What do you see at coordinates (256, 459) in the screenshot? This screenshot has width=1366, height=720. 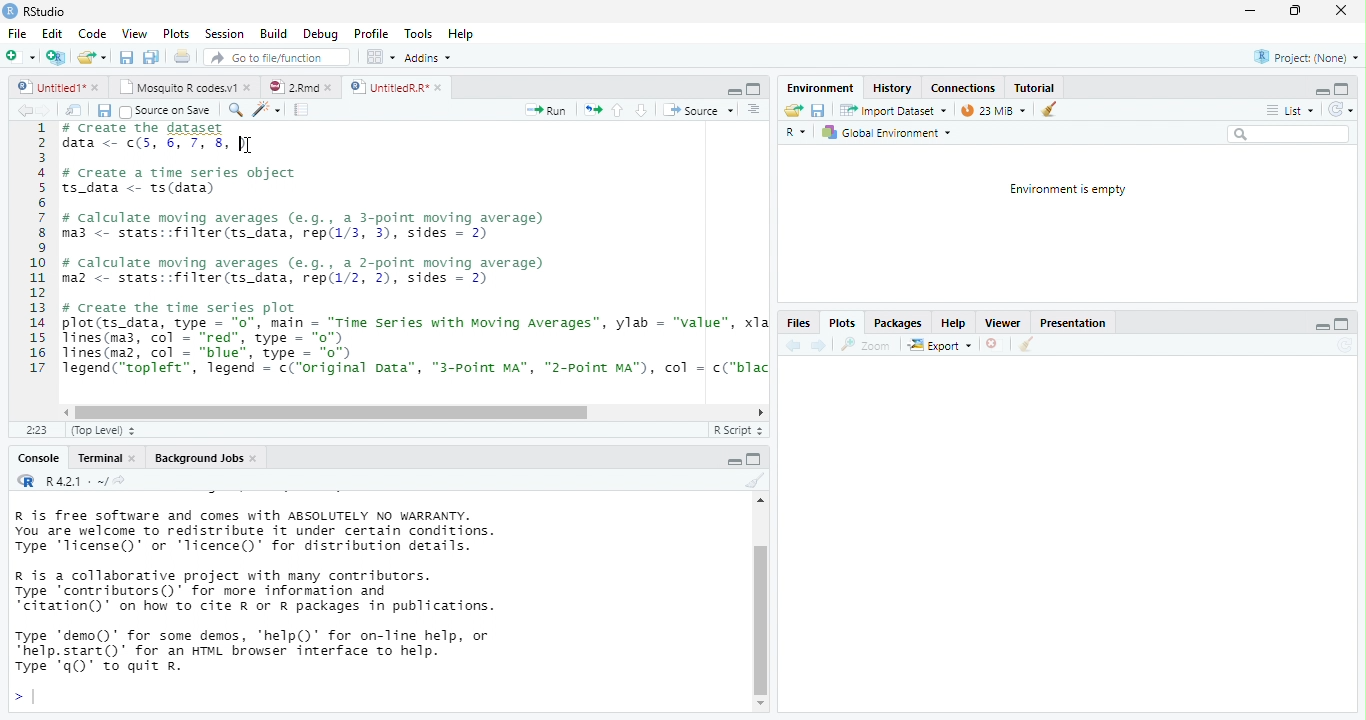 I see `close` at bounding box center [256, 459].